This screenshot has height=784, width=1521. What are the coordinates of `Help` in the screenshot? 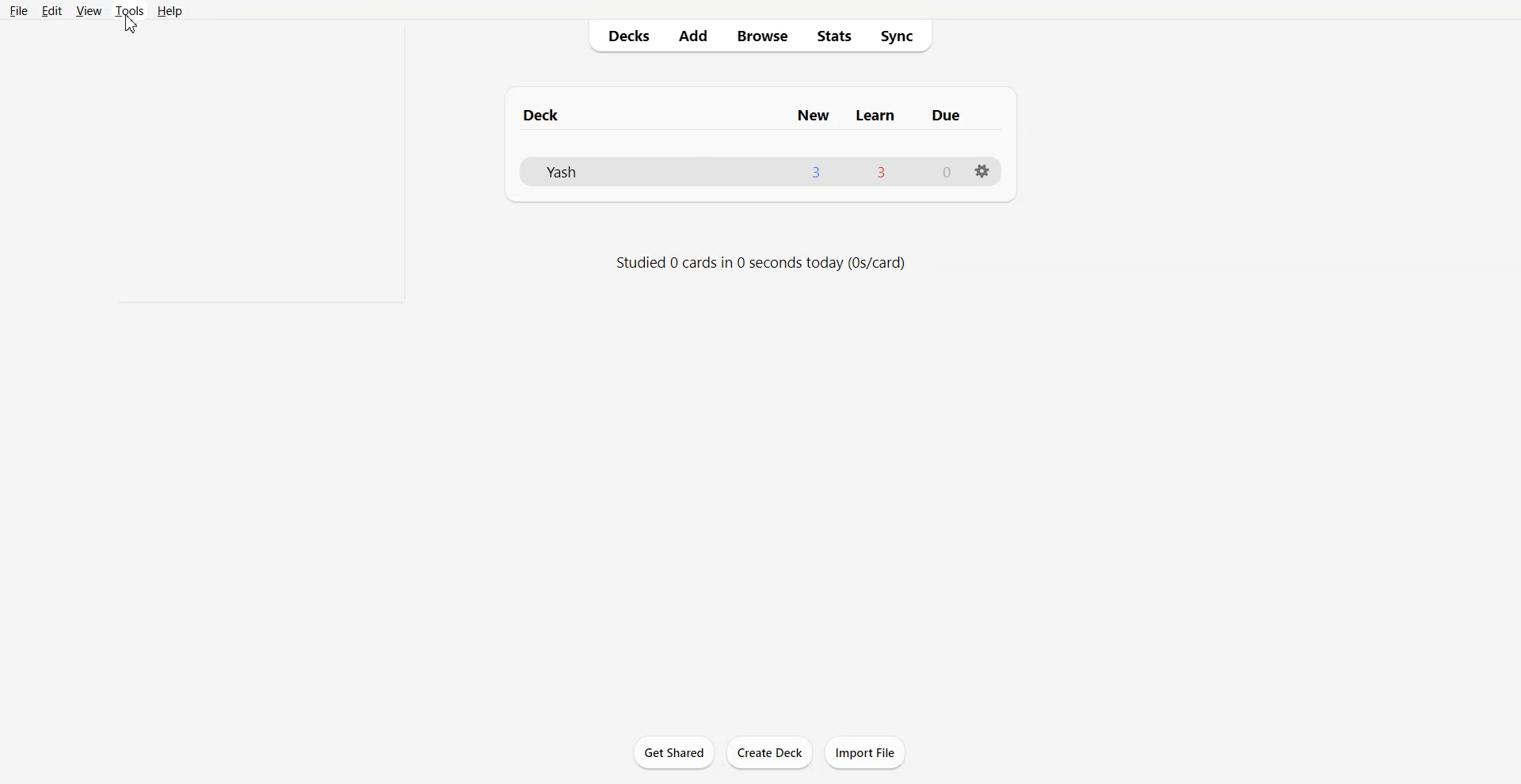 It's located at (169, 10).